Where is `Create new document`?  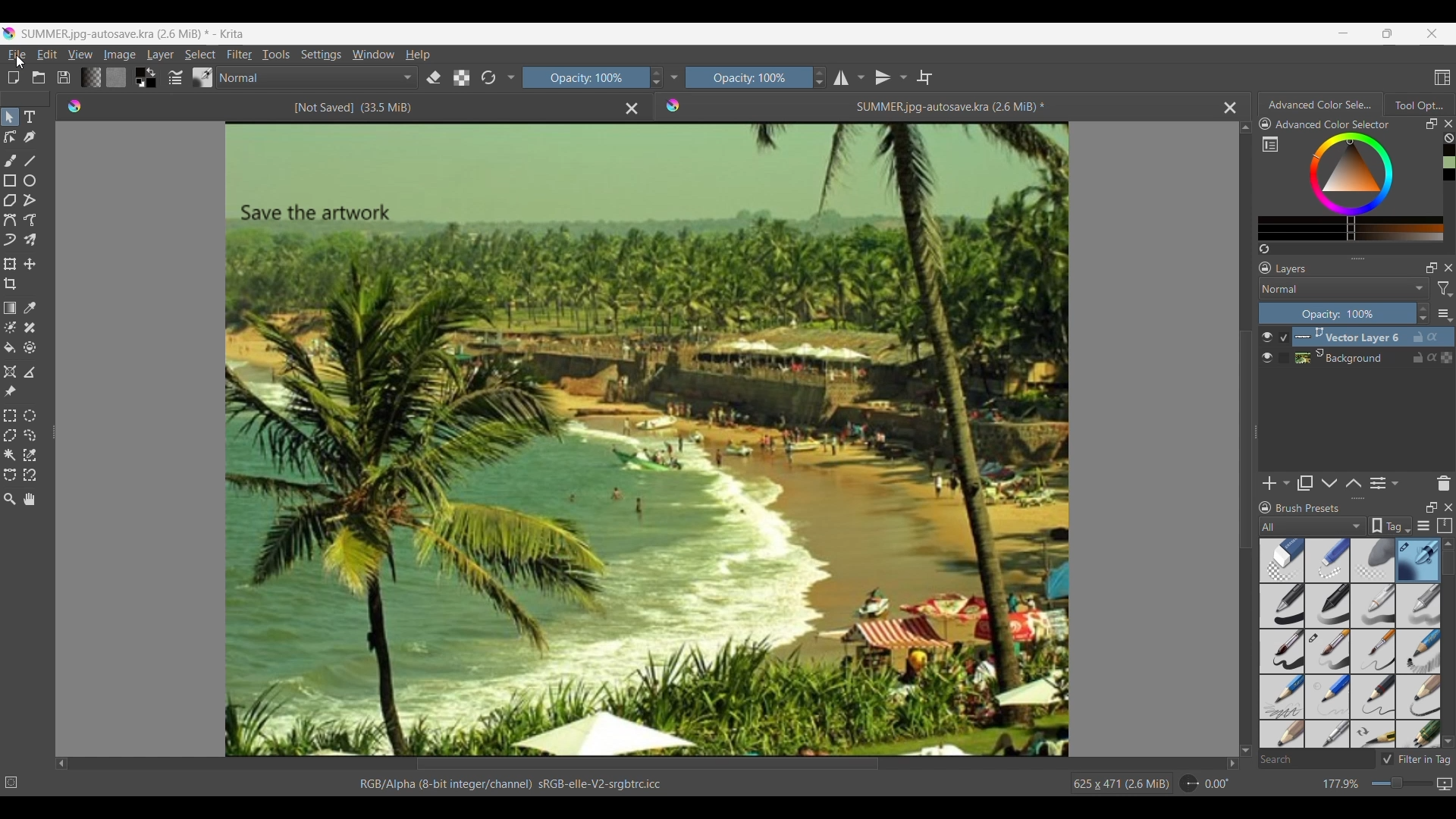
Create new document is located at coordinates (14, 77).